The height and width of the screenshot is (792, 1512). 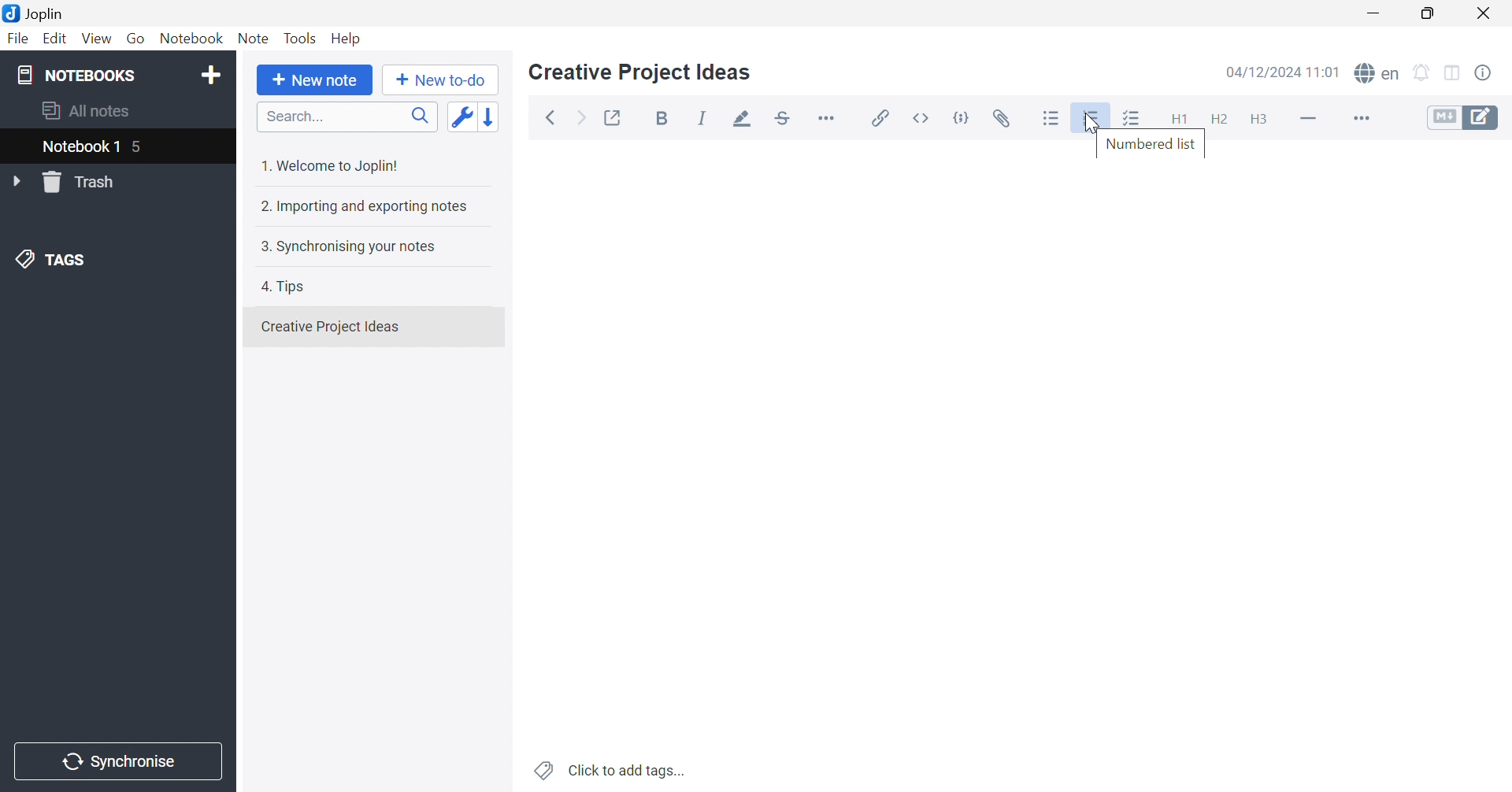 What do you see at coordinates (1378, 75) in the screenshot?
I see `Spell check` at bounding box center [1378, 75].